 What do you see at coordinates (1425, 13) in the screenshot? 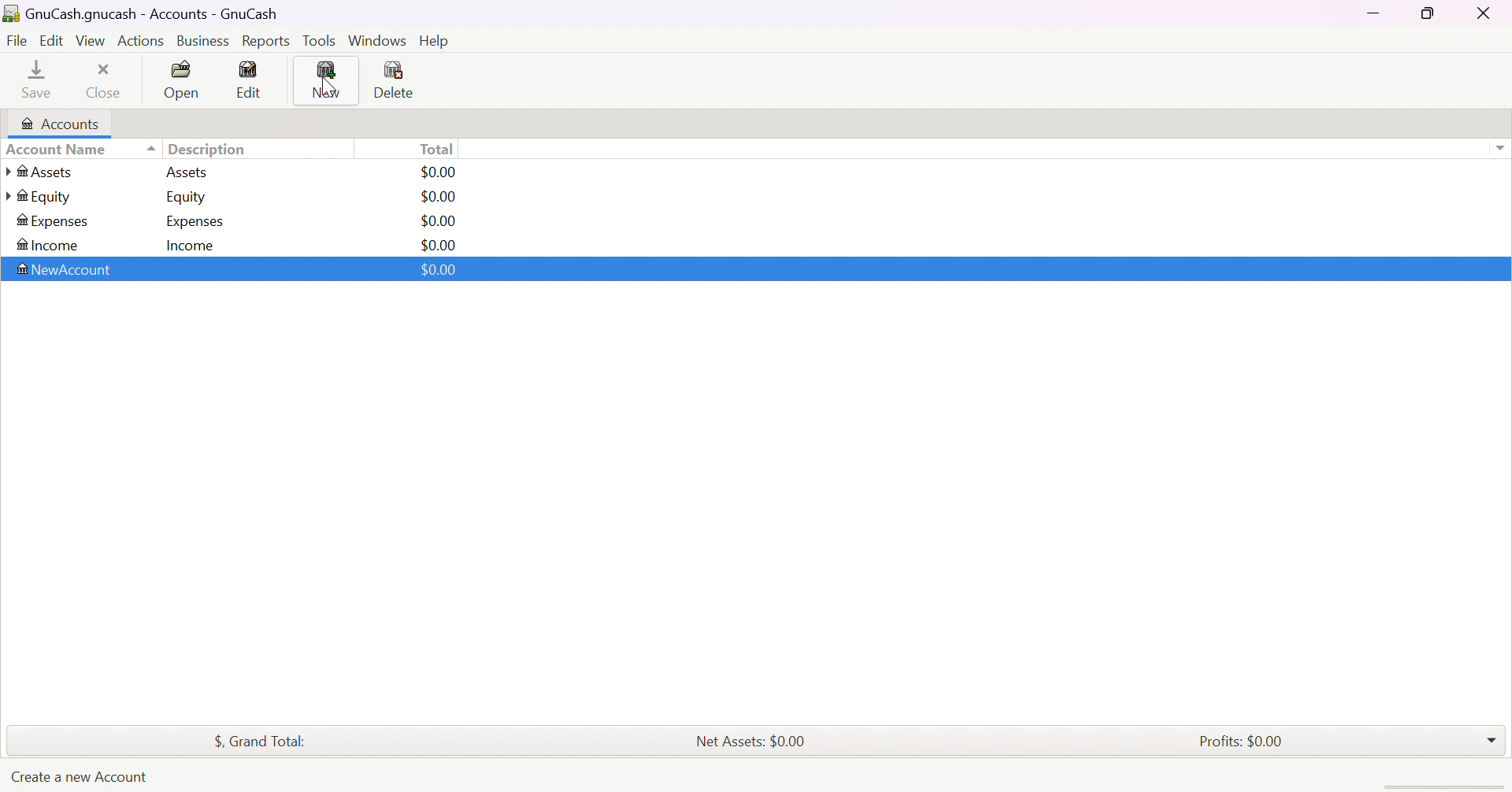
I see `Restore Down` at bounding box center [1425, 13].